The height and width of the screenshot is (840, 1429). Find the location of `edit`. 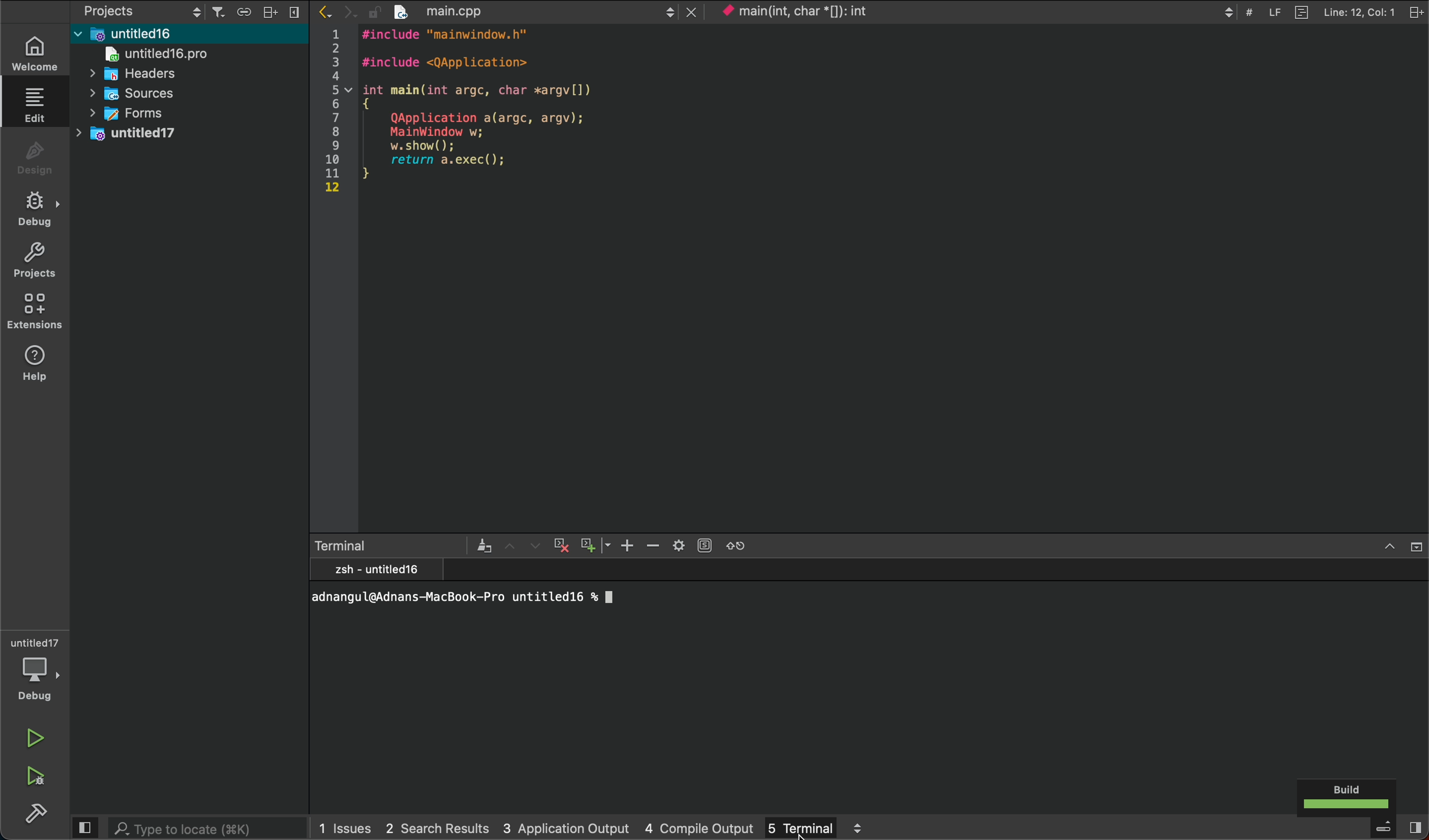

edit is located at coordinates (34, 103).